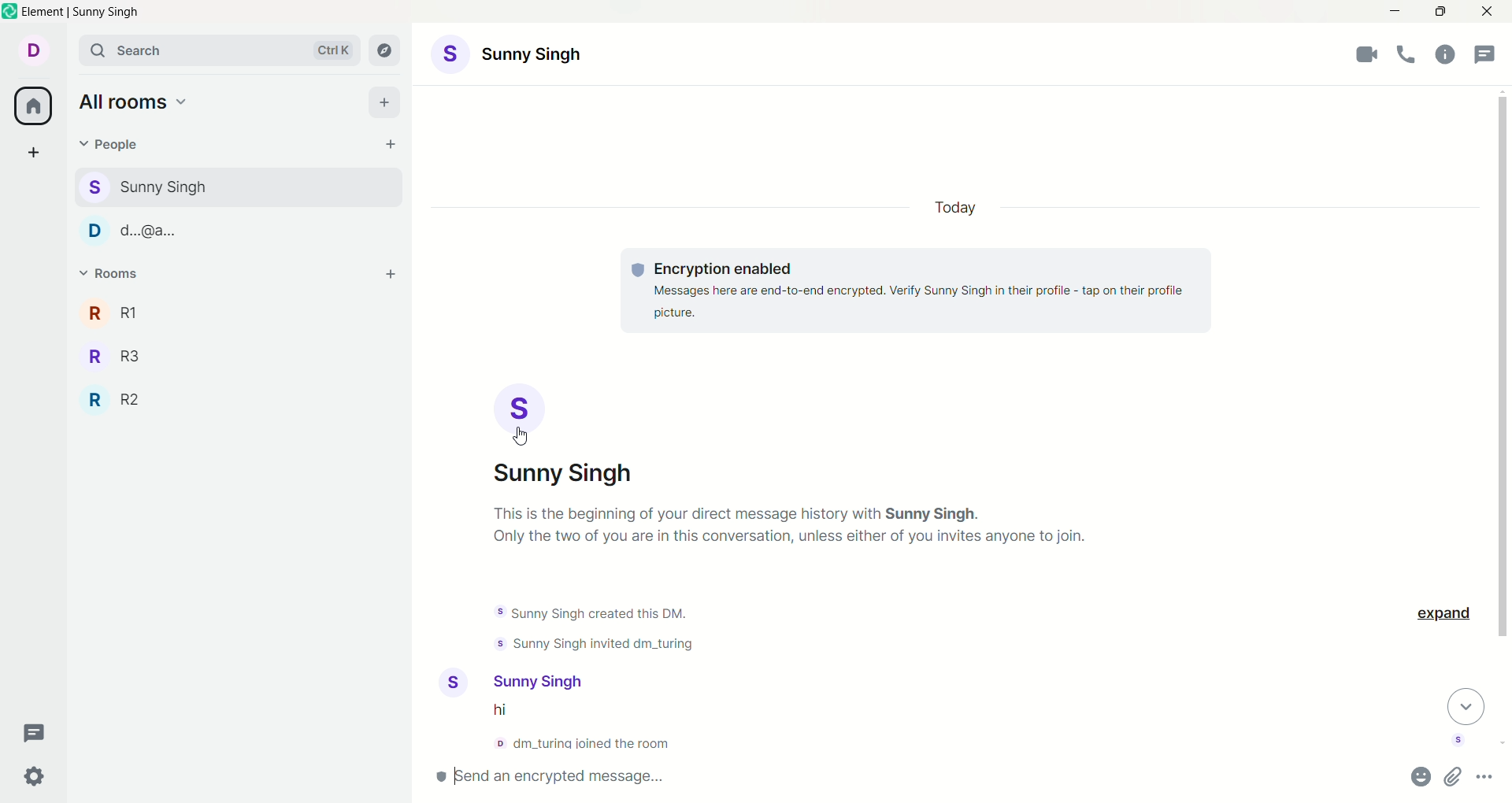  What do you see at coordinates (1369, 54) in the screenshot?
I see `Video Call` at bounding box center [1369, 54].